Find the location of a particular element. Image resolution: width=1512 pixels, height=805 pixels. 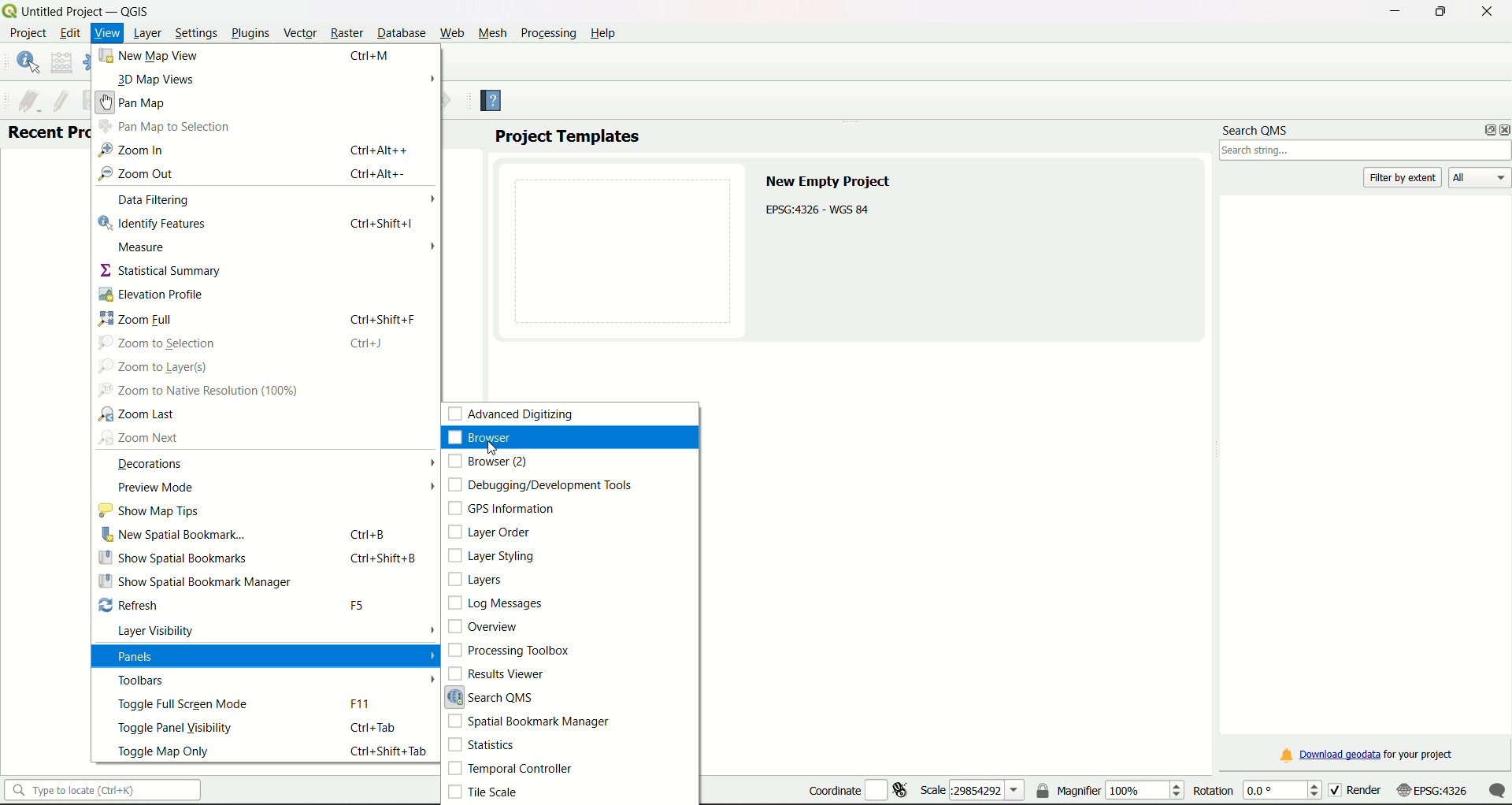

data filtering is located at coordinates (154, 201).